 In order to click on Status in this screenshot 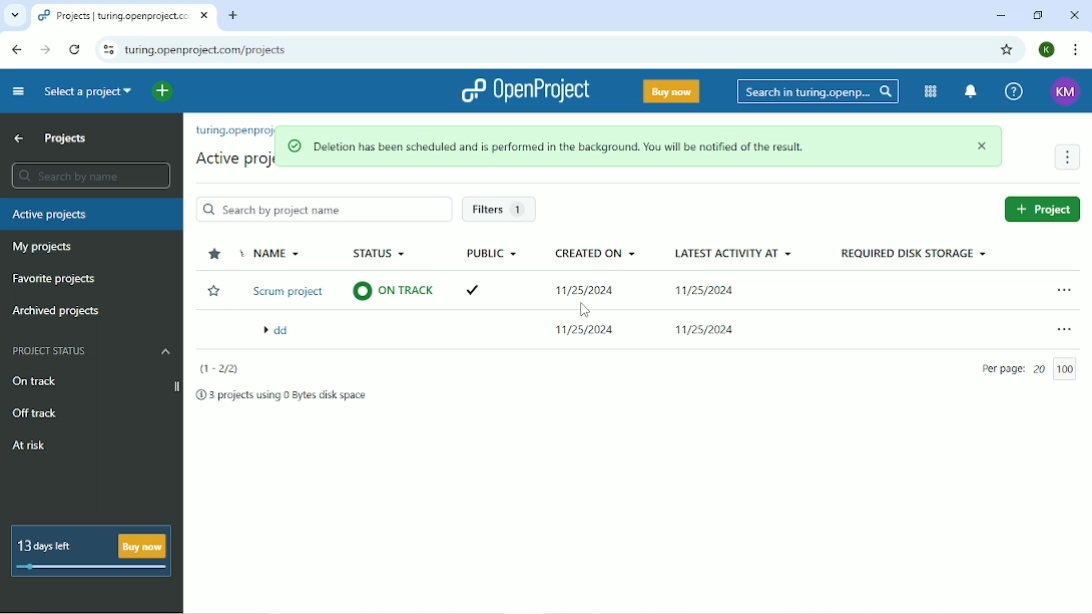, I will do `click(380, 253)`.